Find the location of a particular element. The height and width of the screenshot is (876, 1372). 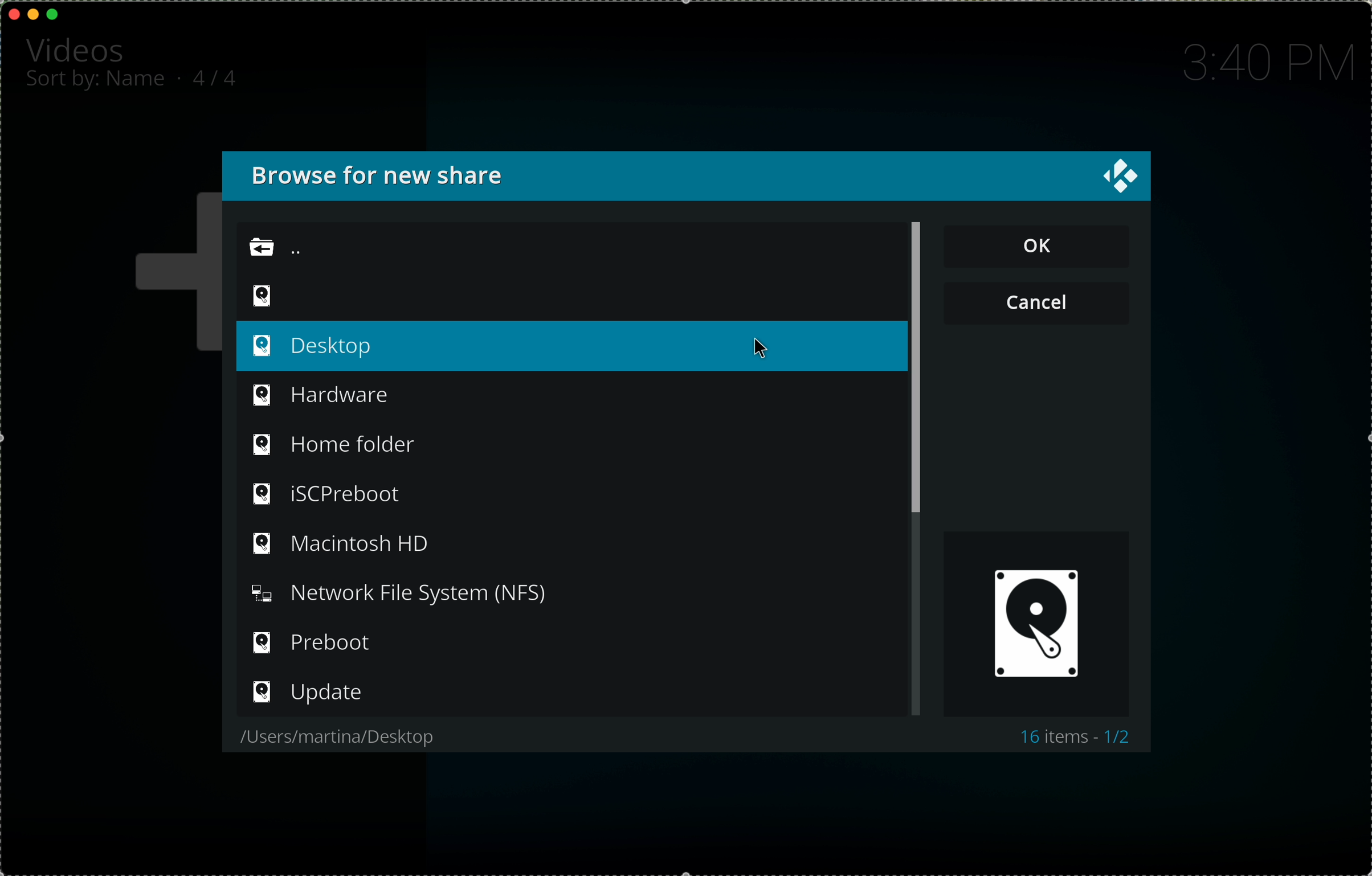

cancel is located at coordinates (1038, 302).